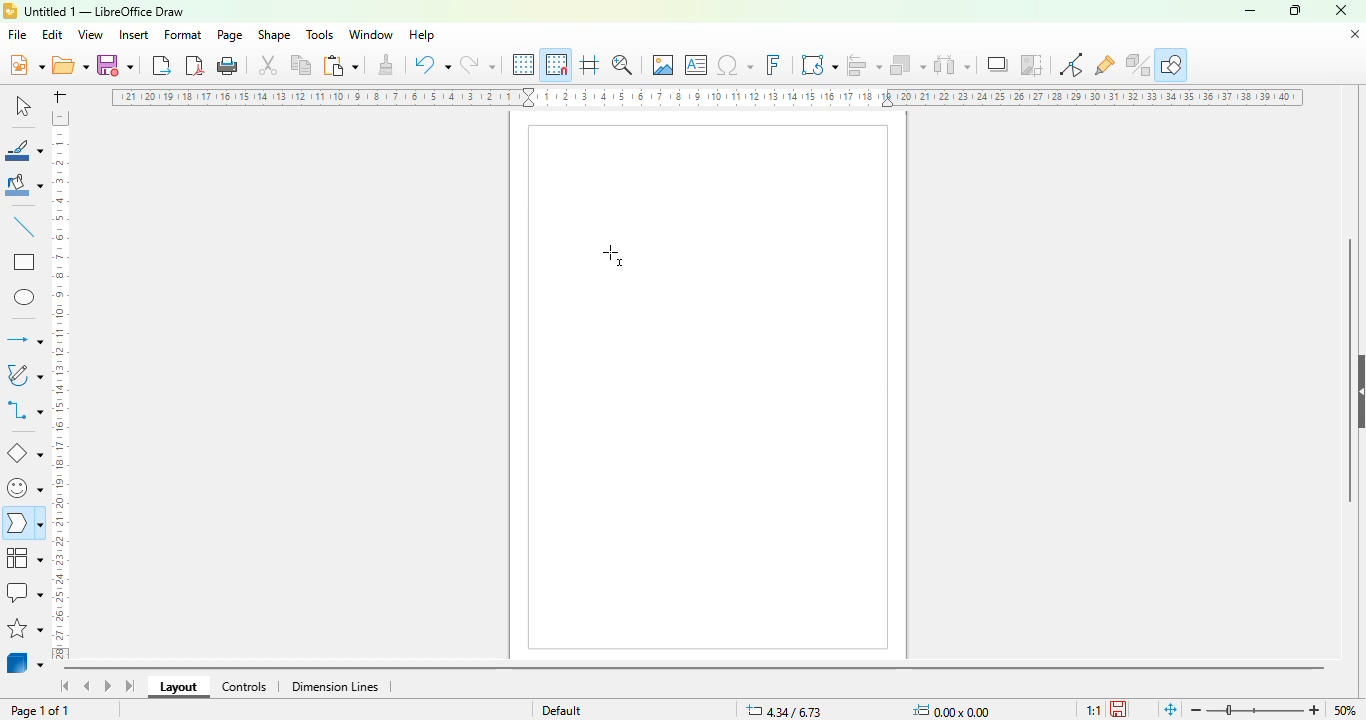  Describe the element at coordinates (1093, 710) in the screenshot. I see `scaling factor of the document` at that location.